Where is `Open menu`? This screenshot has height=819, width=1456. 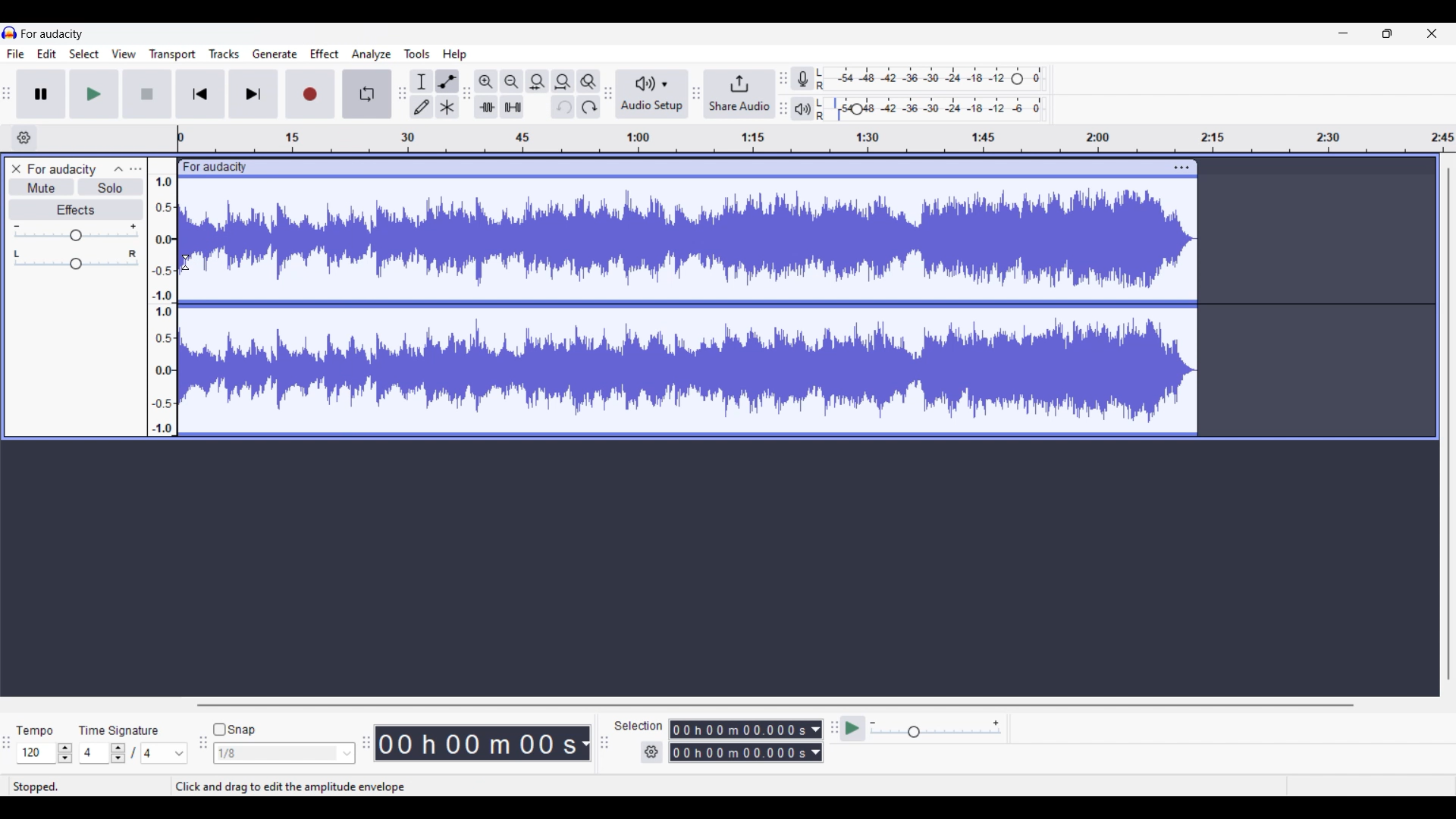
Open menu is located at coordinates (136, 169).